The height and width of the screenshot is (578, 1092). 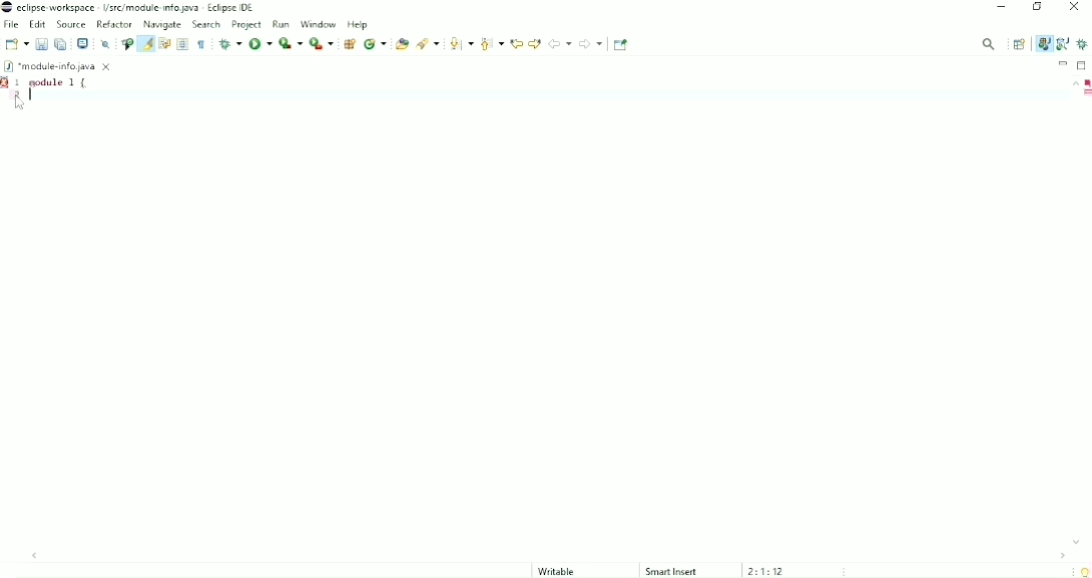 What do you see at coordinates (1086, 94) in the screenshot?
I see `Markers` at bounding box center [1086, 94].